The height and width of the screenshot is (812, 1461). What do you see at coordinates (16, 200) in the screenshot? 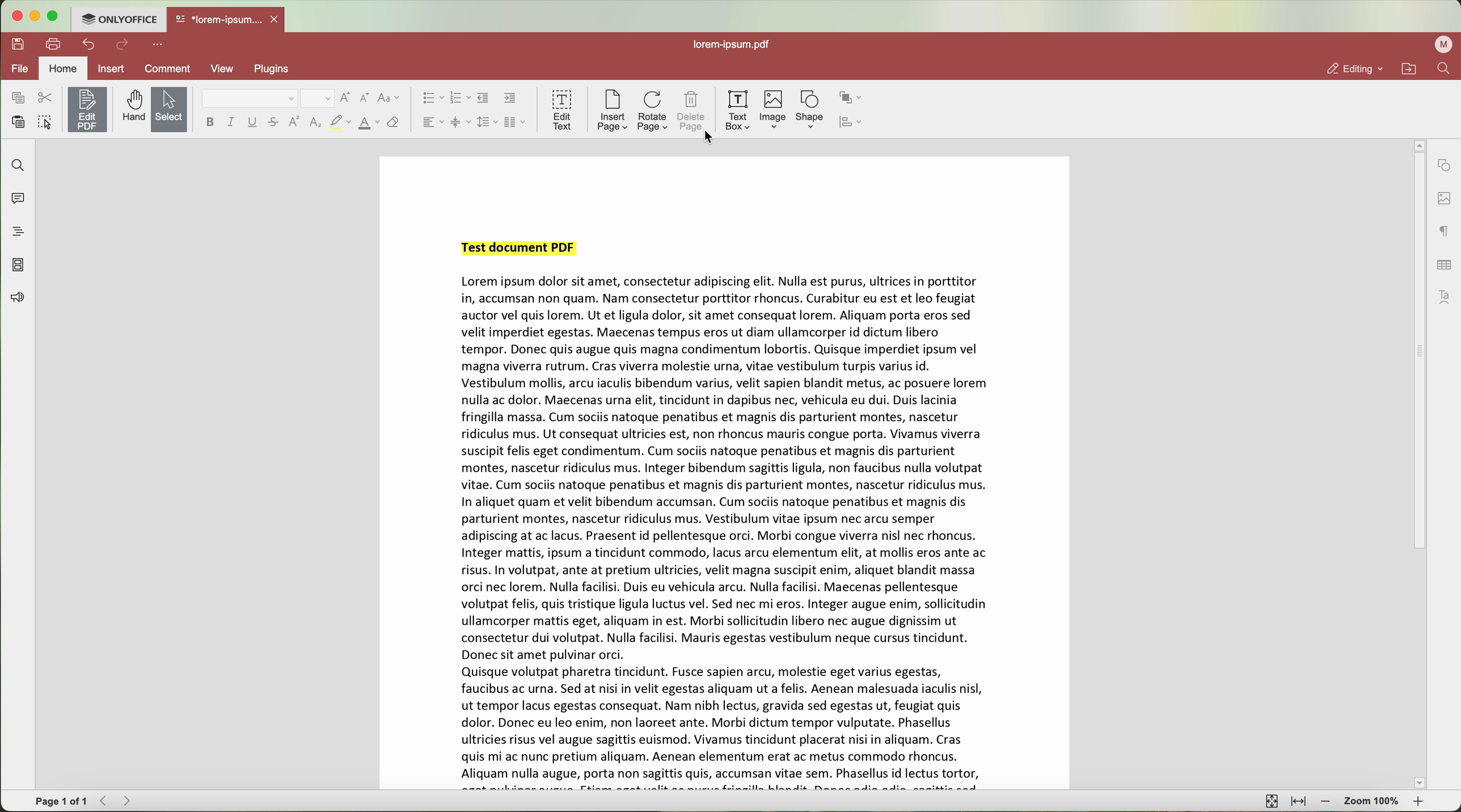
I see `comments` at bounding box center [16, 200].